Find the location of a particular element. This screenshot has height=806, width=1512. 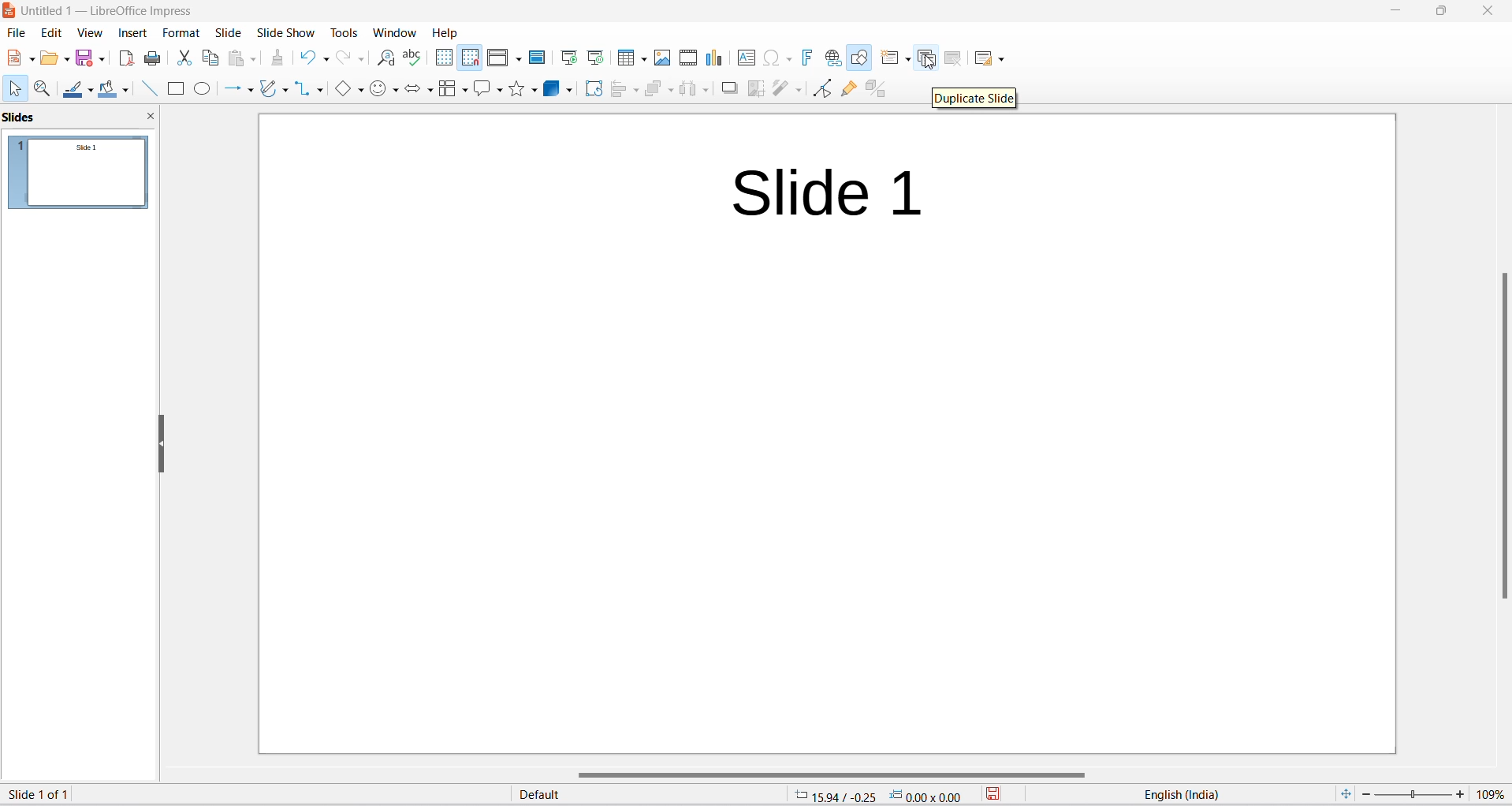

start from current slide is located at coordinates (595, 58).